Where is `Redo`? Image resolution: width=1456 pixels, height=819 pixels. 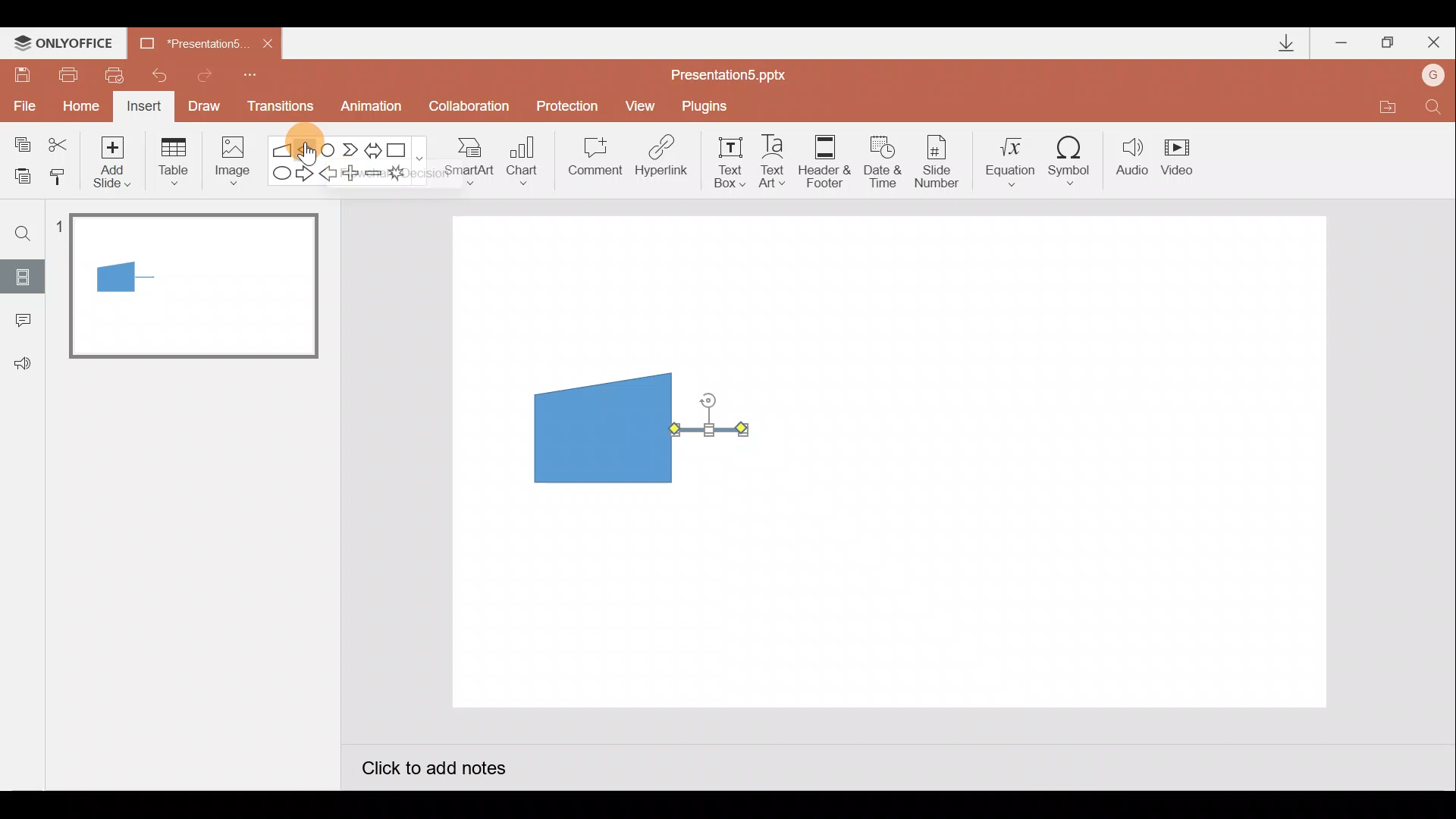
Redo is located at coordinates (206, 73).